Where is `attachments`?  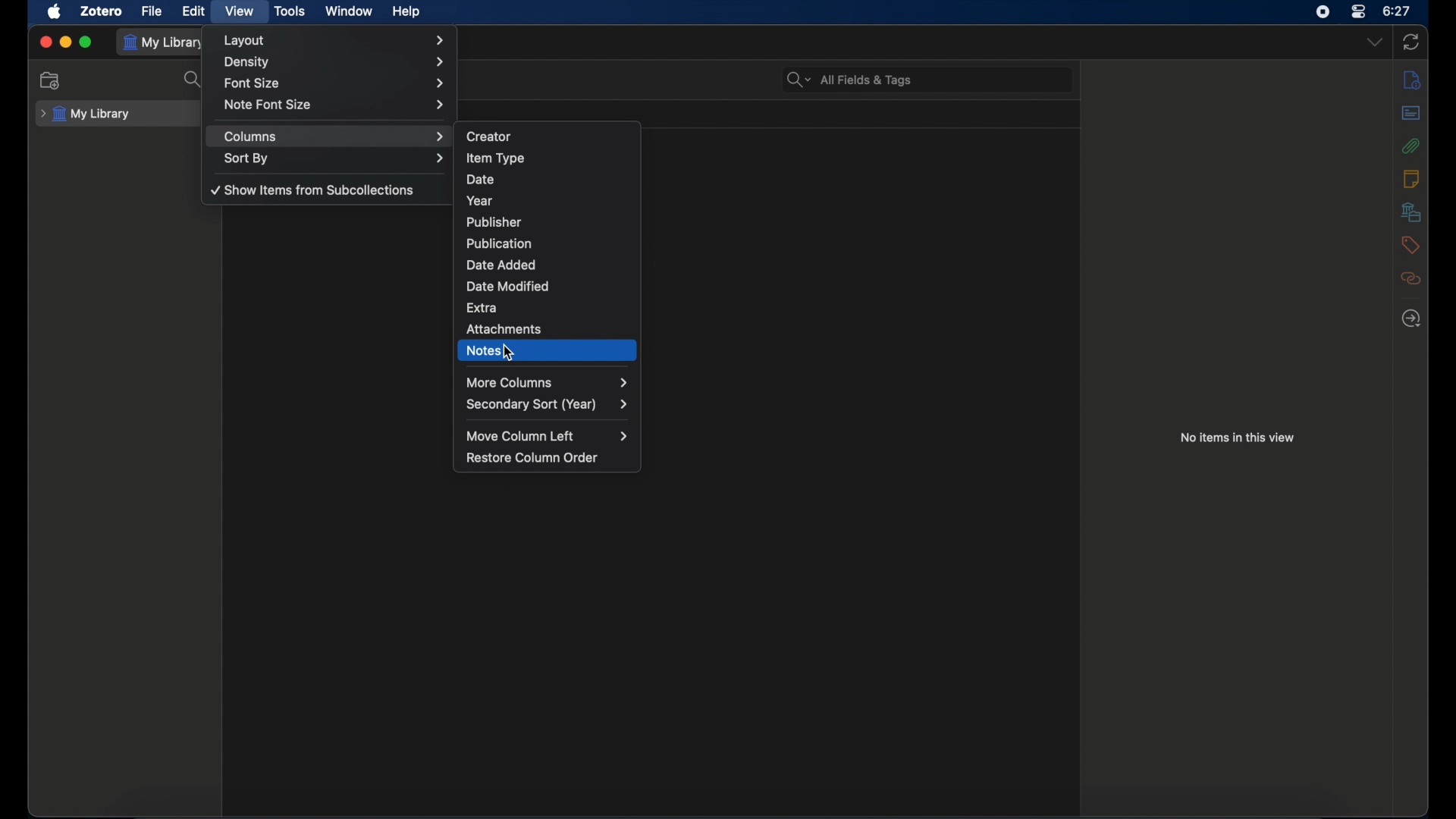 attachments is located at coordinates (505, 328).